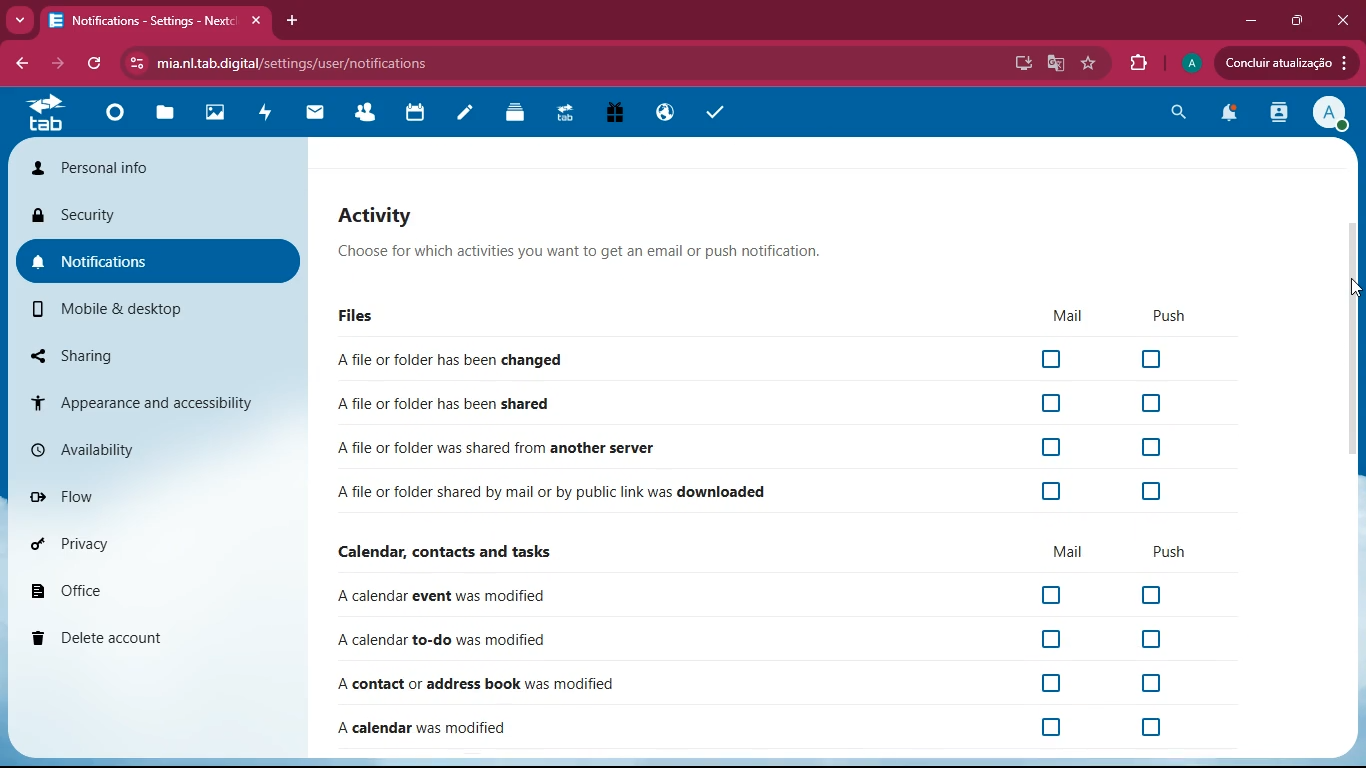  I want to click on notifications, so click(1233, 115).